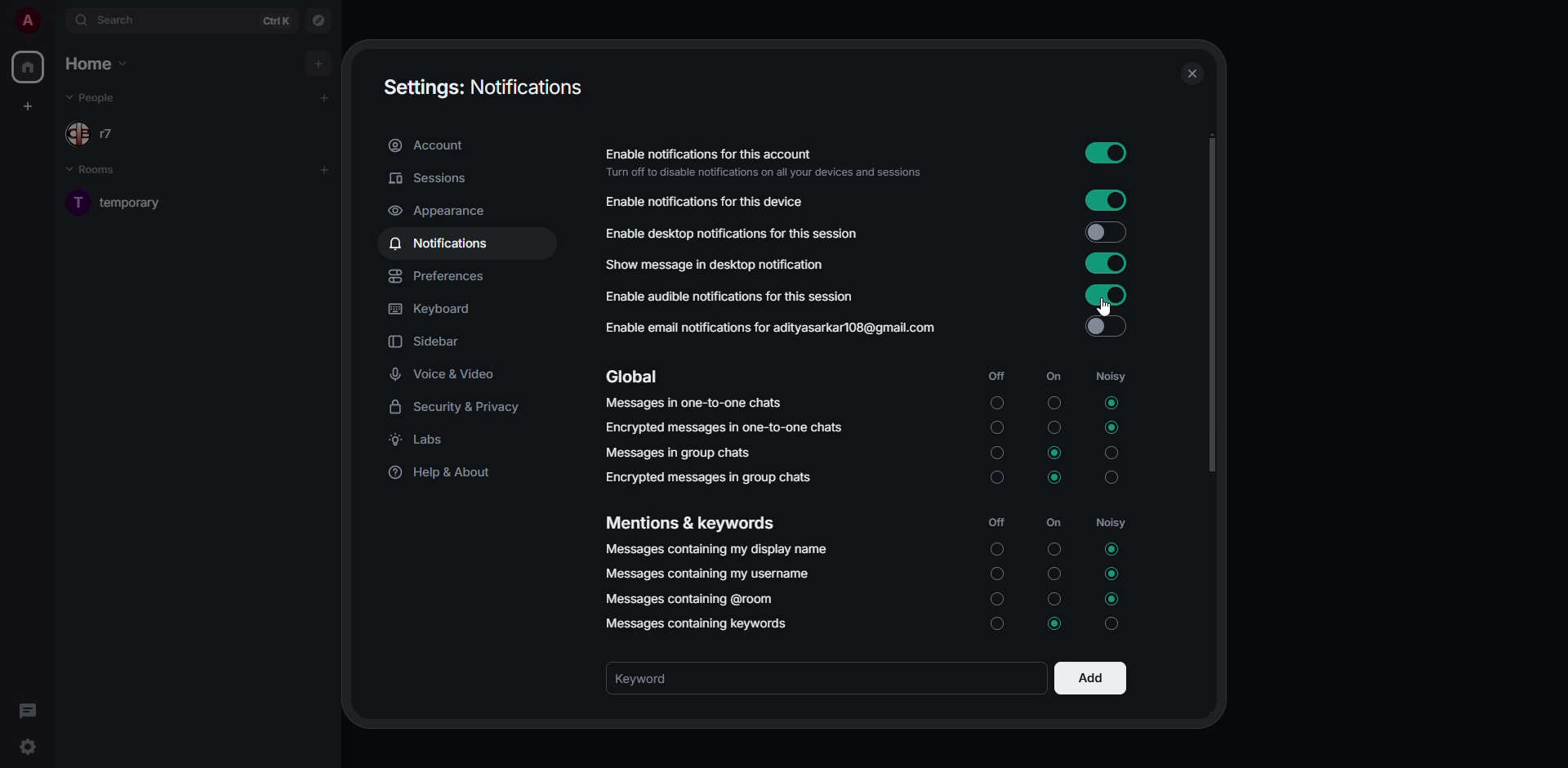 The height and width of the screenshot is (768, 1568). What do you see at coordinates (1053, 522) in the screenshot?
I see `on` at bounding box center [1053, 522].